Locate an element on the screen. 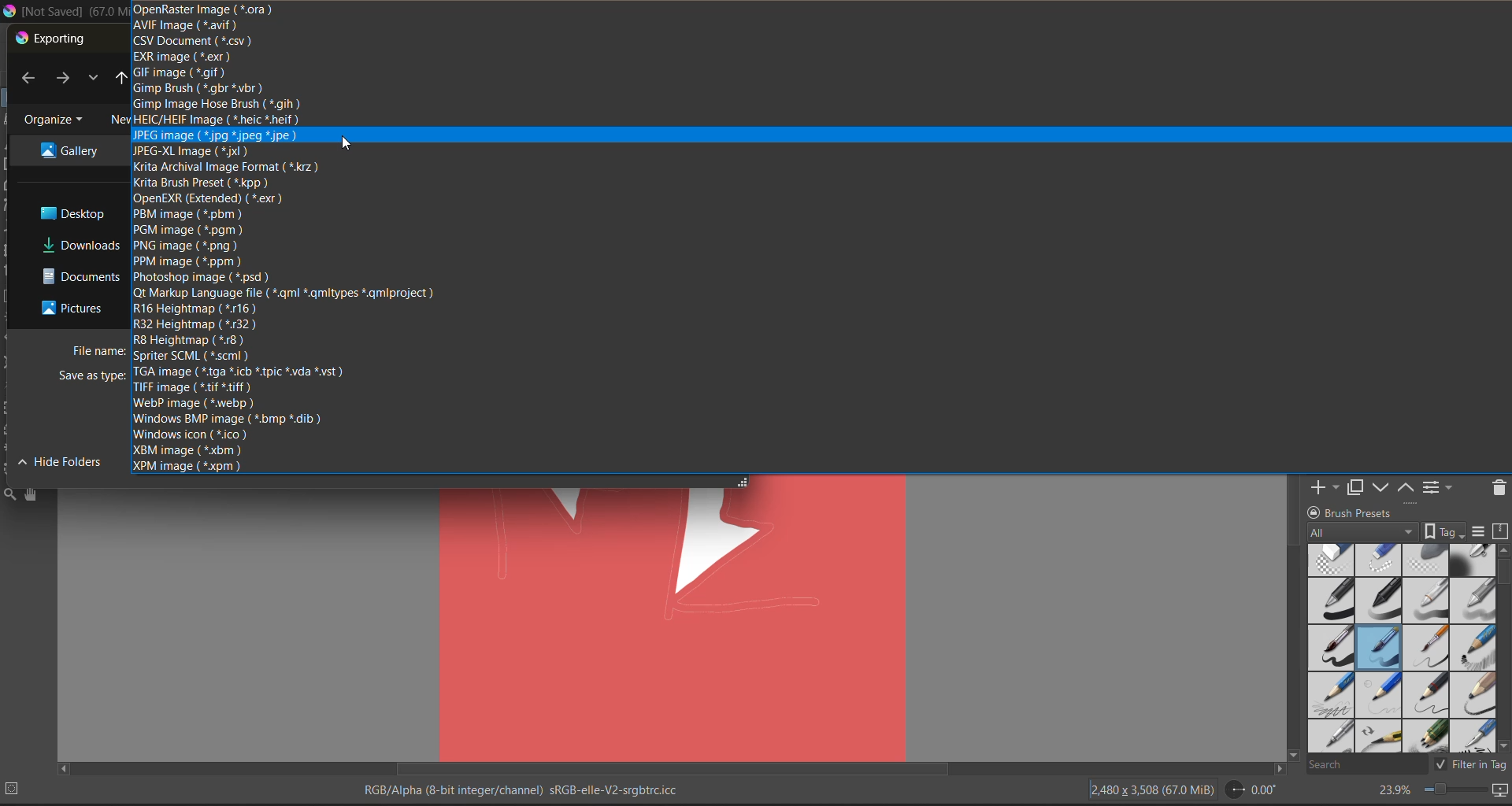 This screenshot has width=1512, height=806. file name is located at coordinates (96, 350).